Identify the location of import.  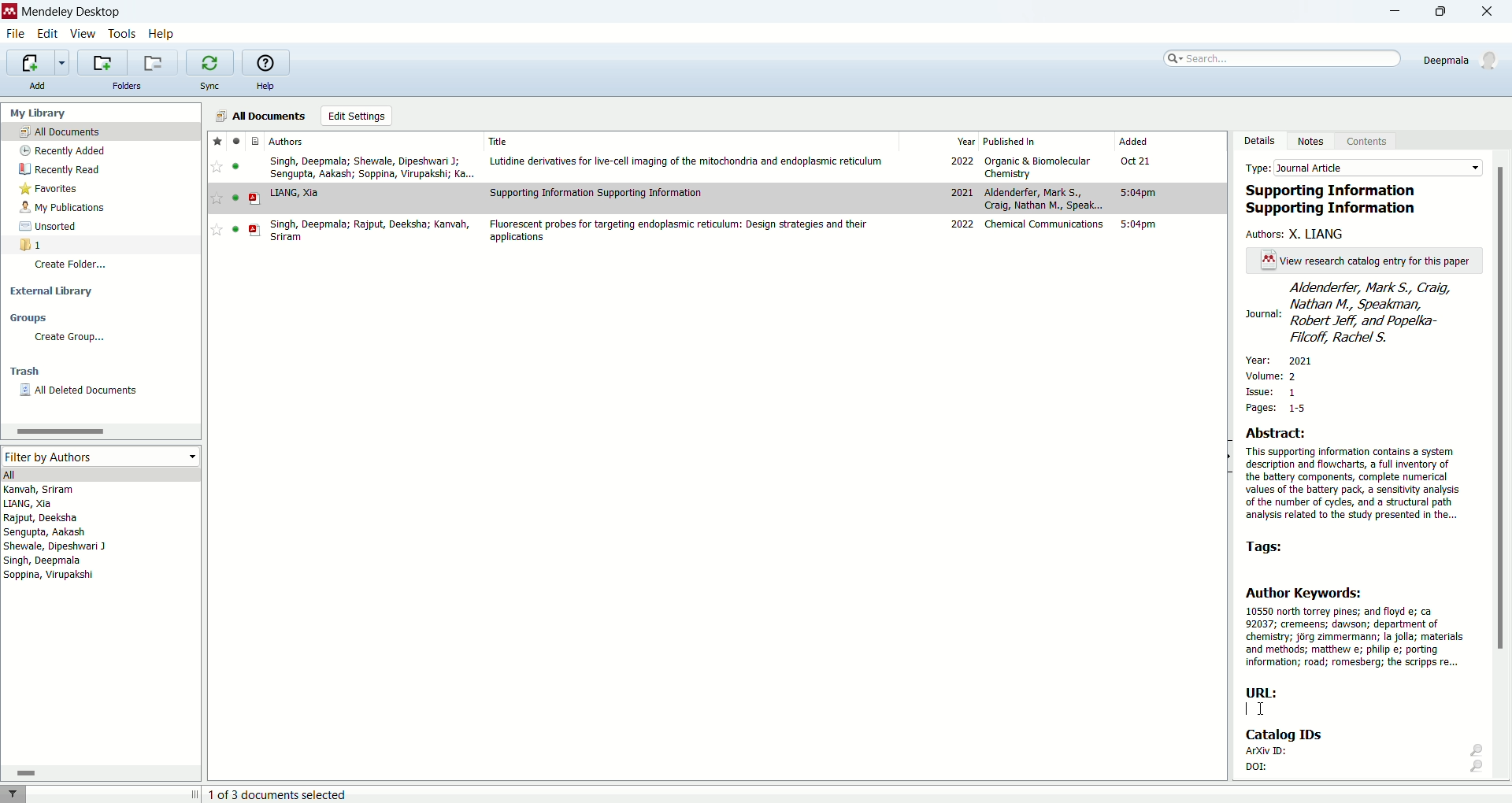
(39, 61).